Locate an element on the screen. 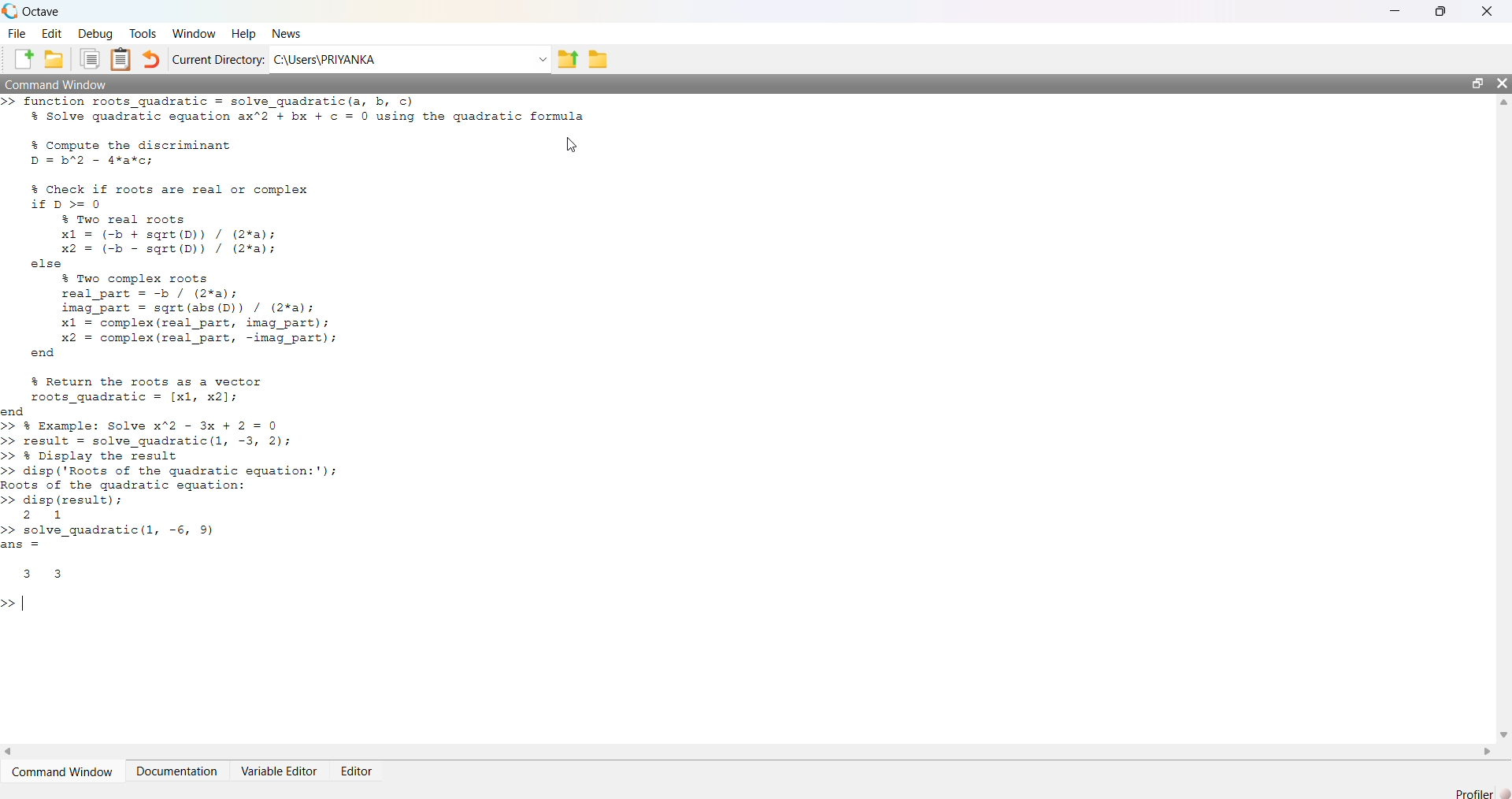 The height and width of the screenshot is (799, 1512). Open an existing file in editor is located at coordinates (53, 59).